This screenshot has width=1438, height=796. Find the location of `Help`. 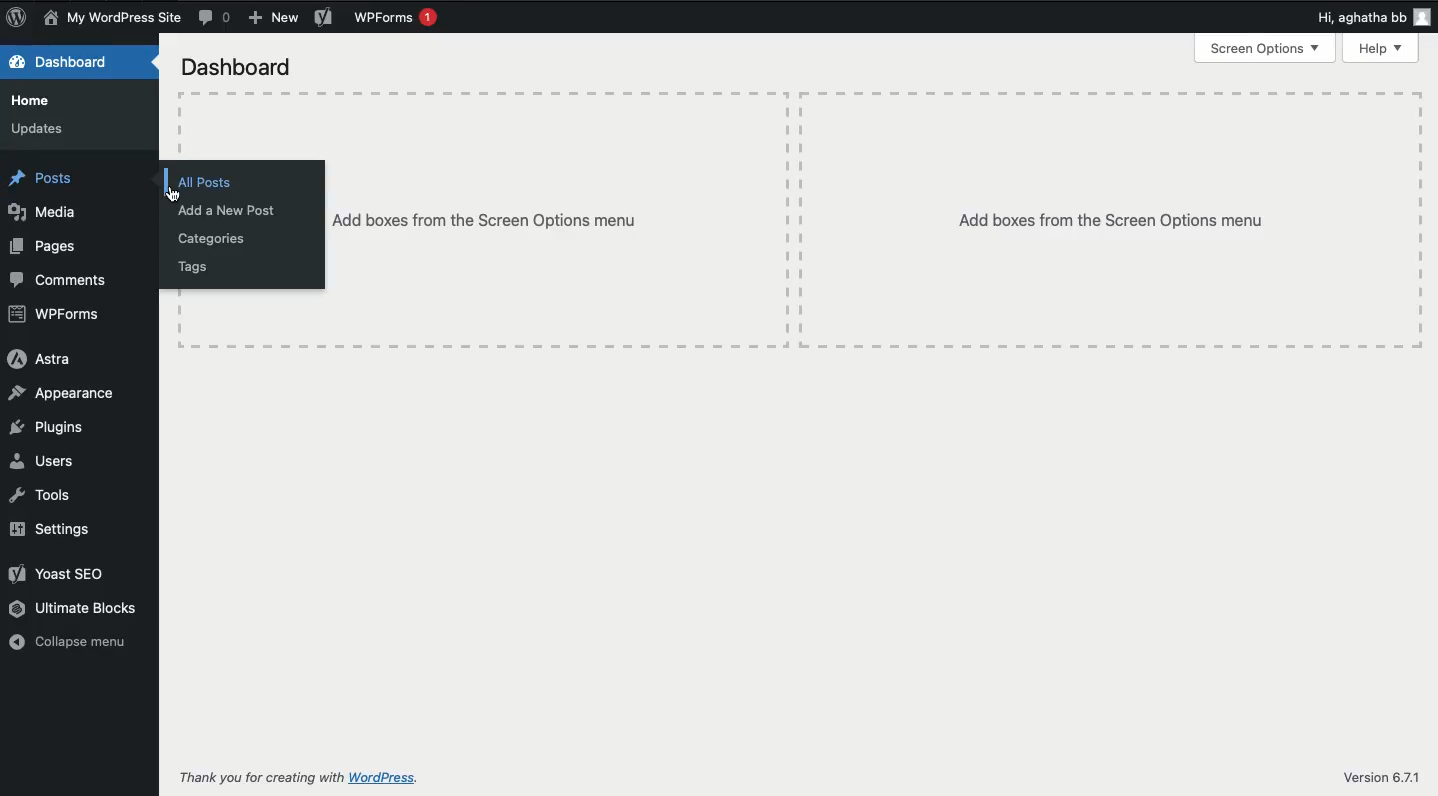

Help is located at coordinates (1381, 47).